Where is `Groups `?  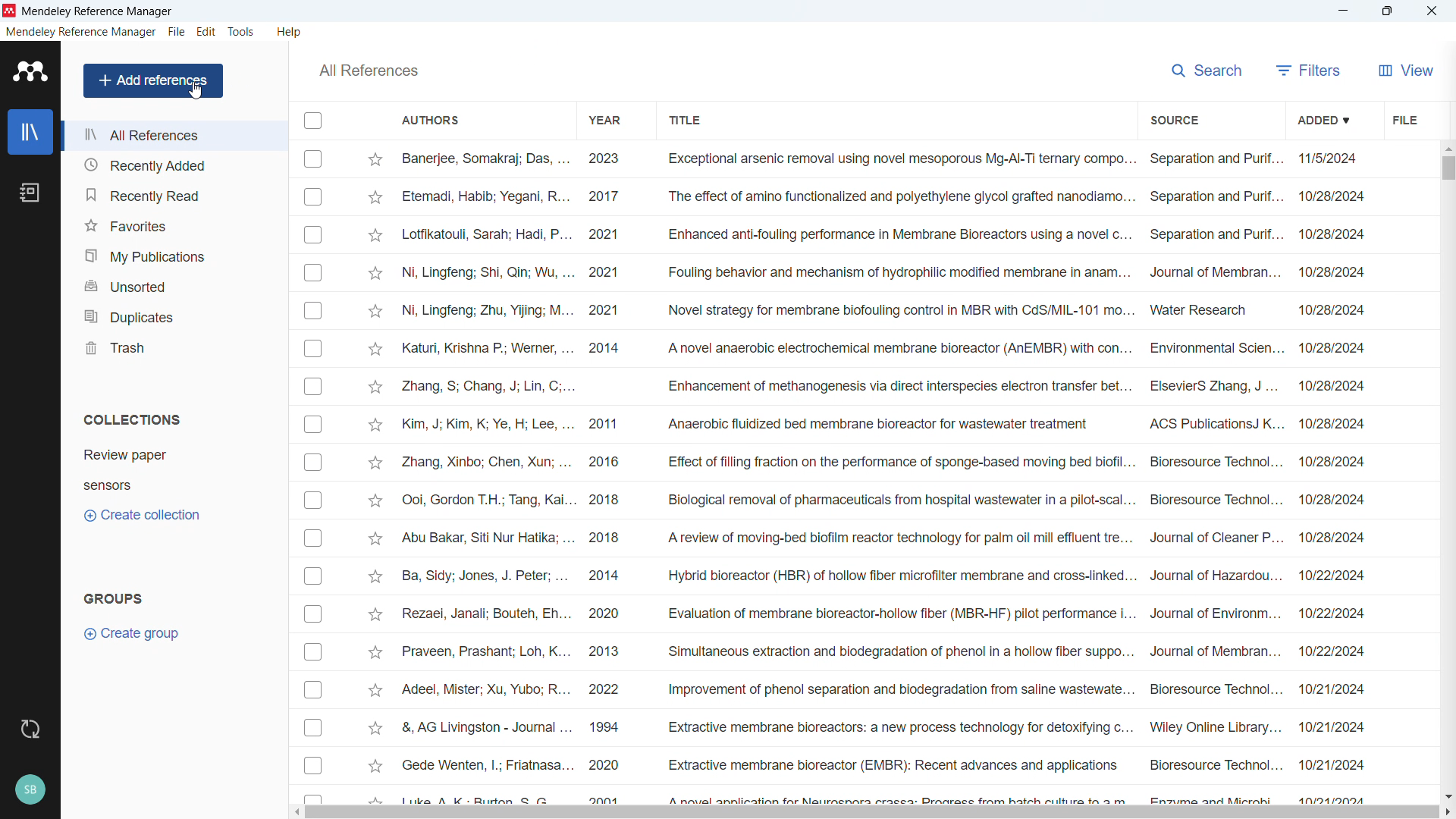
Groups  is located at coordinates (114, 598).